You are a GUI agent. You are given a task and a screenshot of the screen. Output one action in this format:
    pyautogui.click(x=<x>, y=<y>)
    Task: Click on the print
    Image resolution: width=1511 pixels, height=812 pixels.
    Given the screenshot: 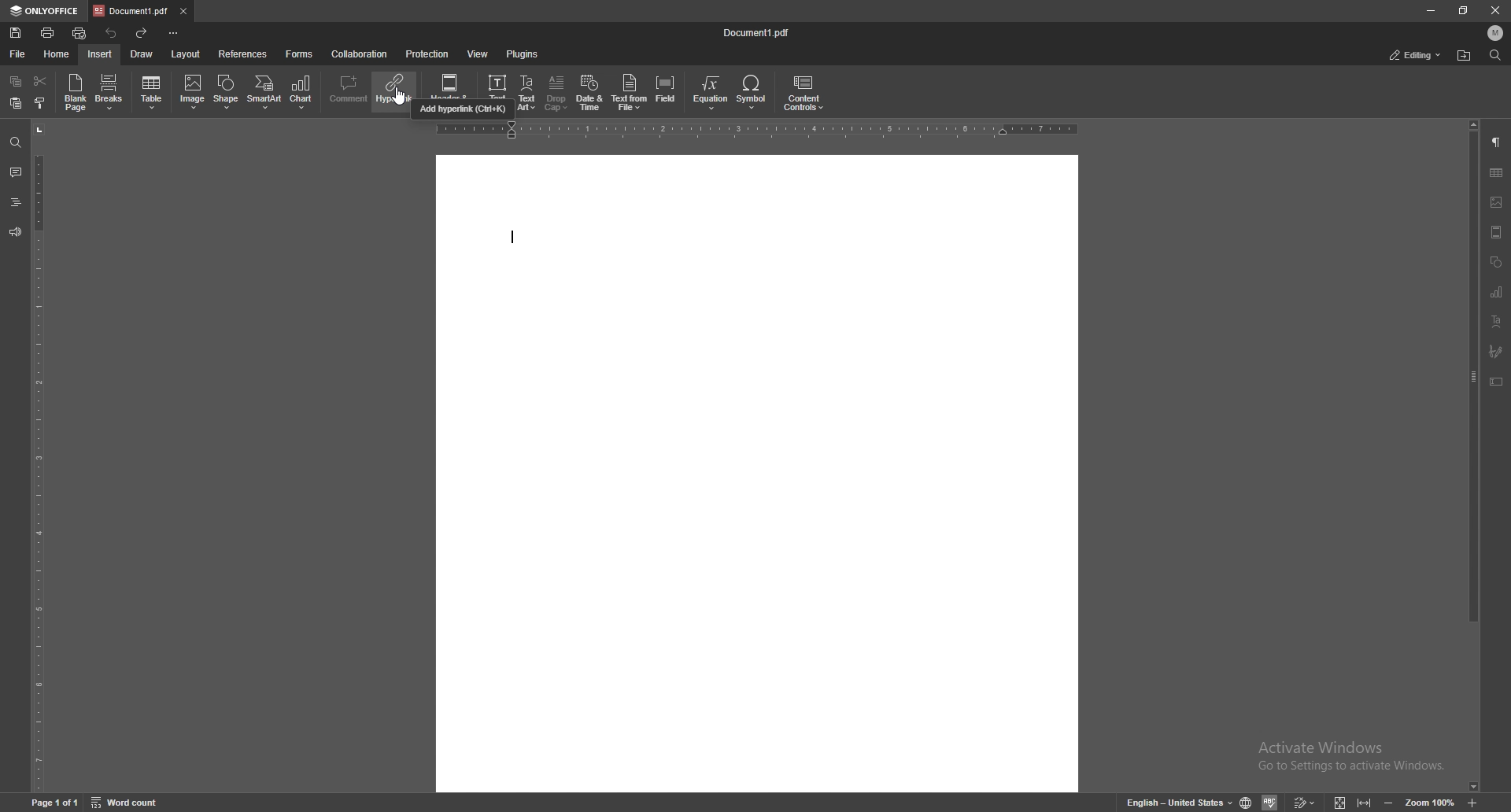 What is the action you would take?
    pyautogui.click(x=49, y=32)
    